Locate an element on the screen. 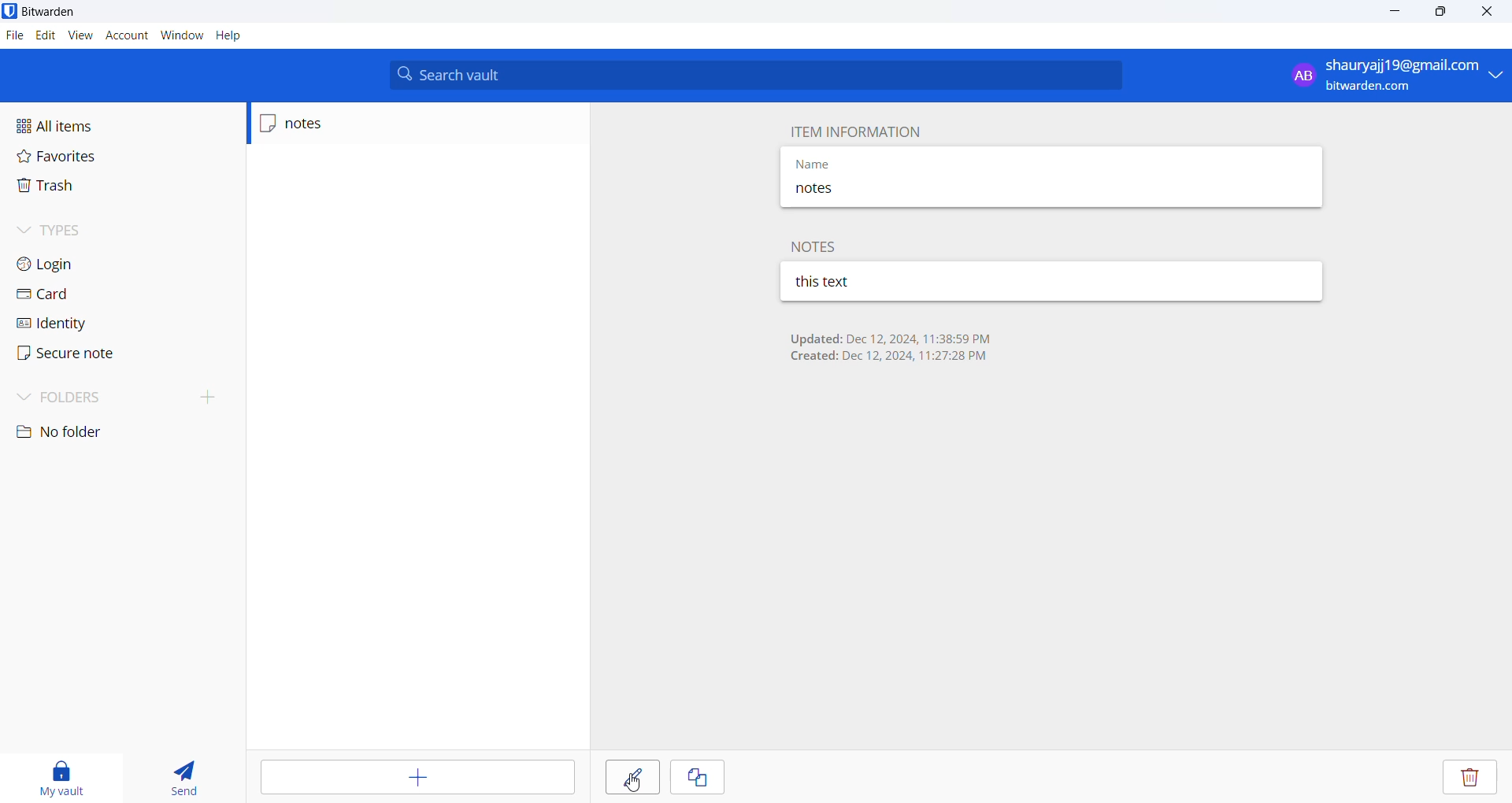  Item information is located at coordinates (853, 130).